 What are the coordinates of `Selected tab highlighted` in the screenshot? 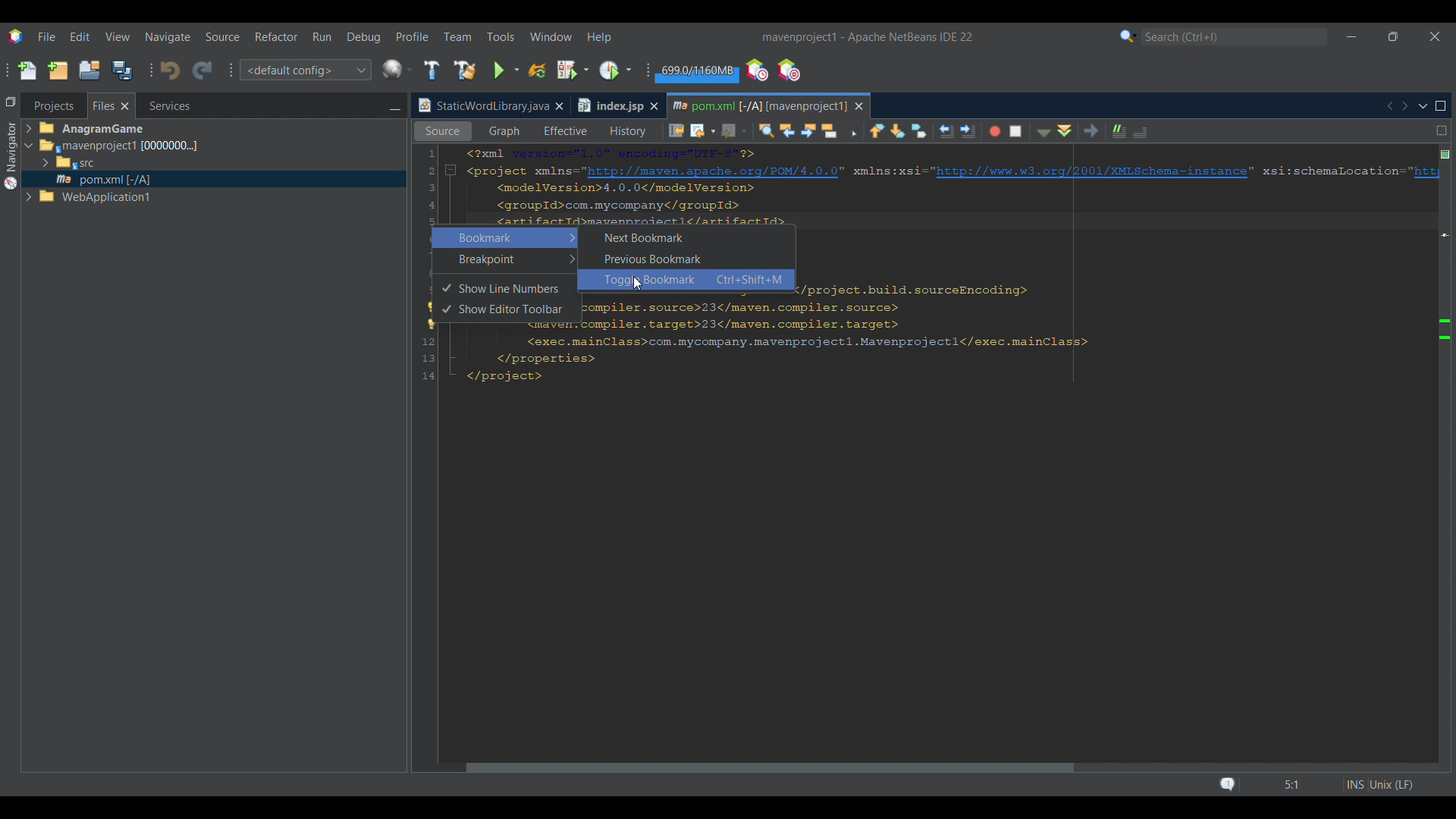 It's located at (281, 145).